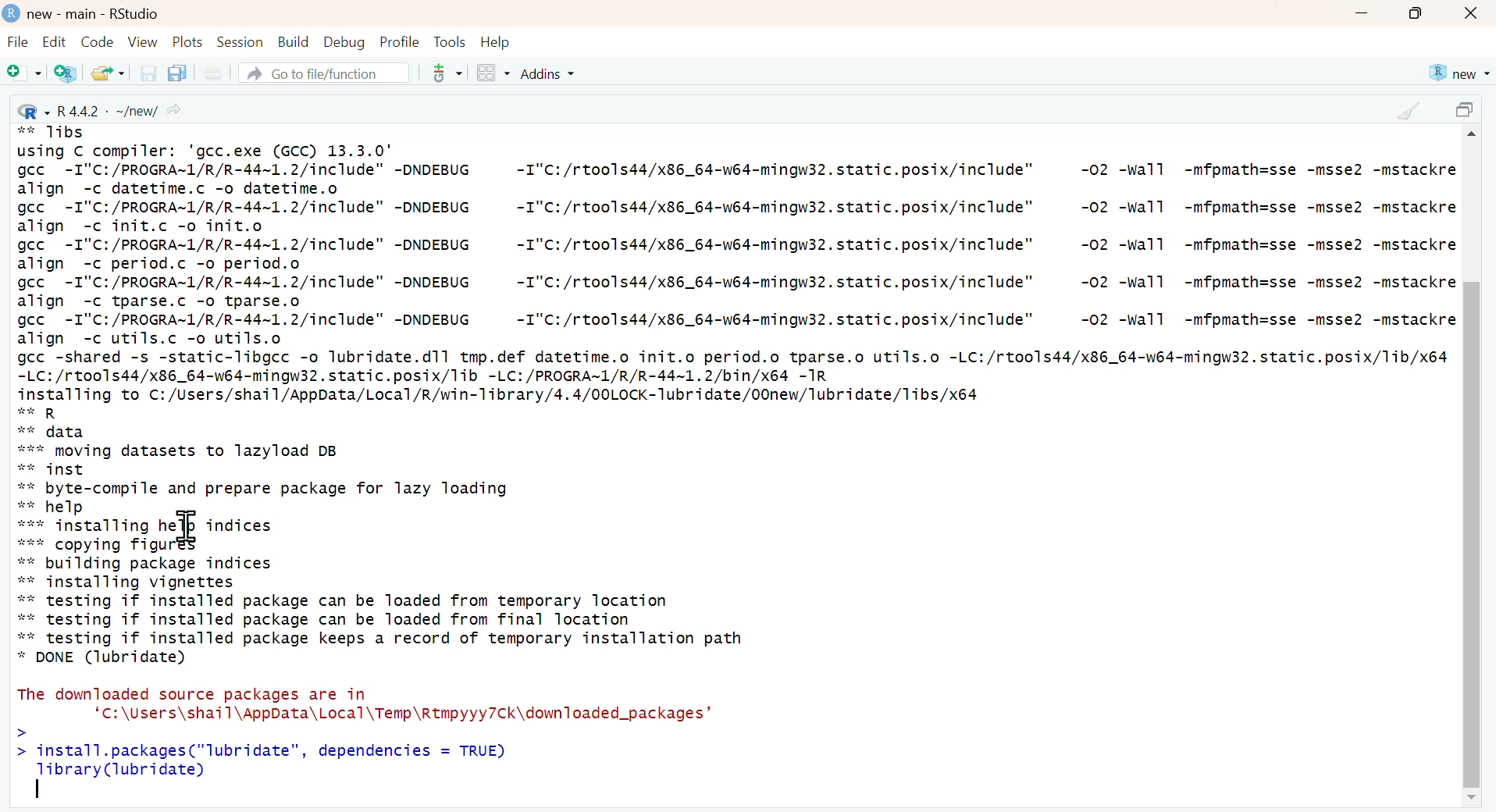 The image size is (1496, 812). What do you see at coordinates (450, 41) in the screenshot?
I see `Tools` at bounding box center [450, 41].